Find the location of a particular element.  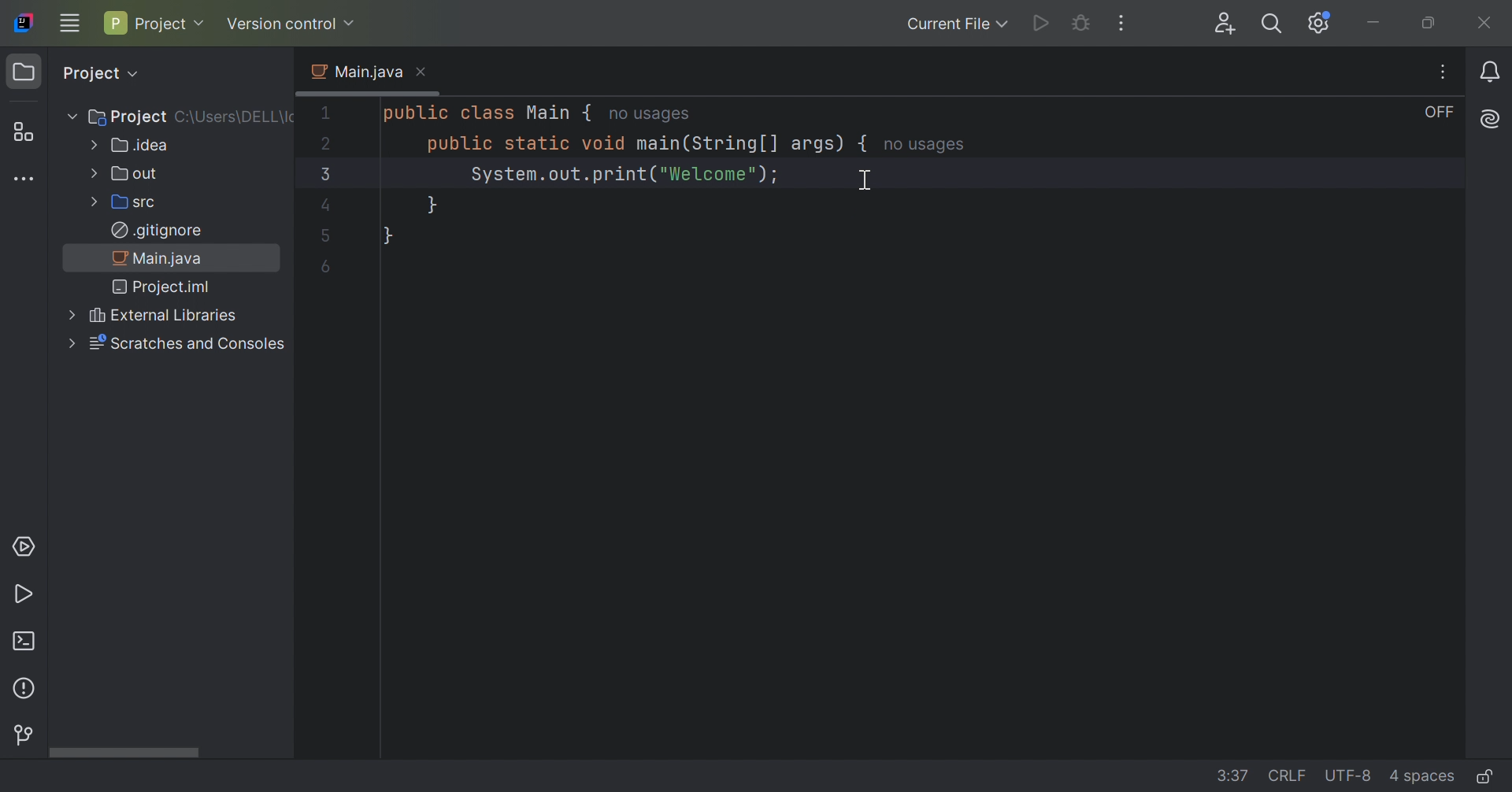

Restore down is located at coordinates (1429, 24).